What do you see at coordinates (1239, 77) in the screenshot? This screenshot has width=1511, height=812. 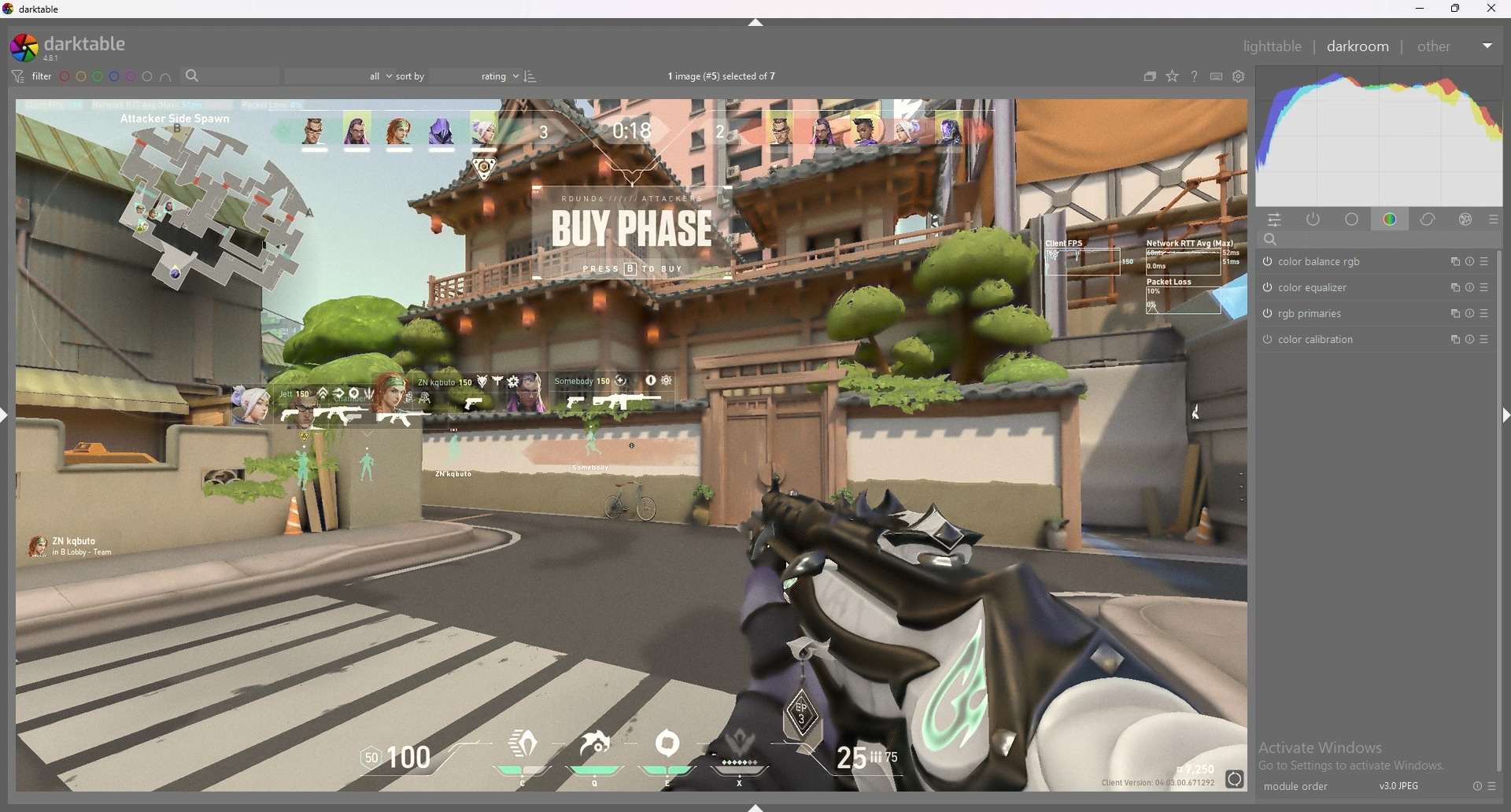 I see `show global preference` at bounding box center [1239, 77].